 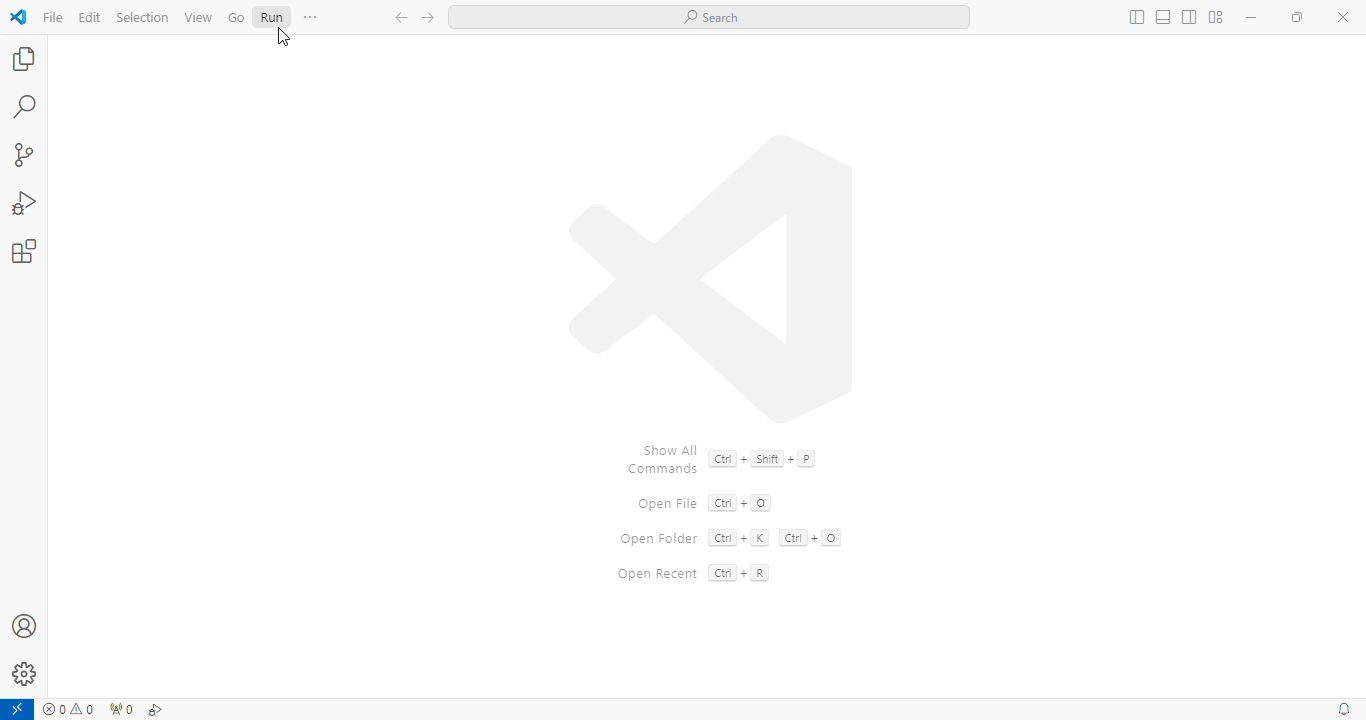 I want to click on logo, so click(x=19, y=17).